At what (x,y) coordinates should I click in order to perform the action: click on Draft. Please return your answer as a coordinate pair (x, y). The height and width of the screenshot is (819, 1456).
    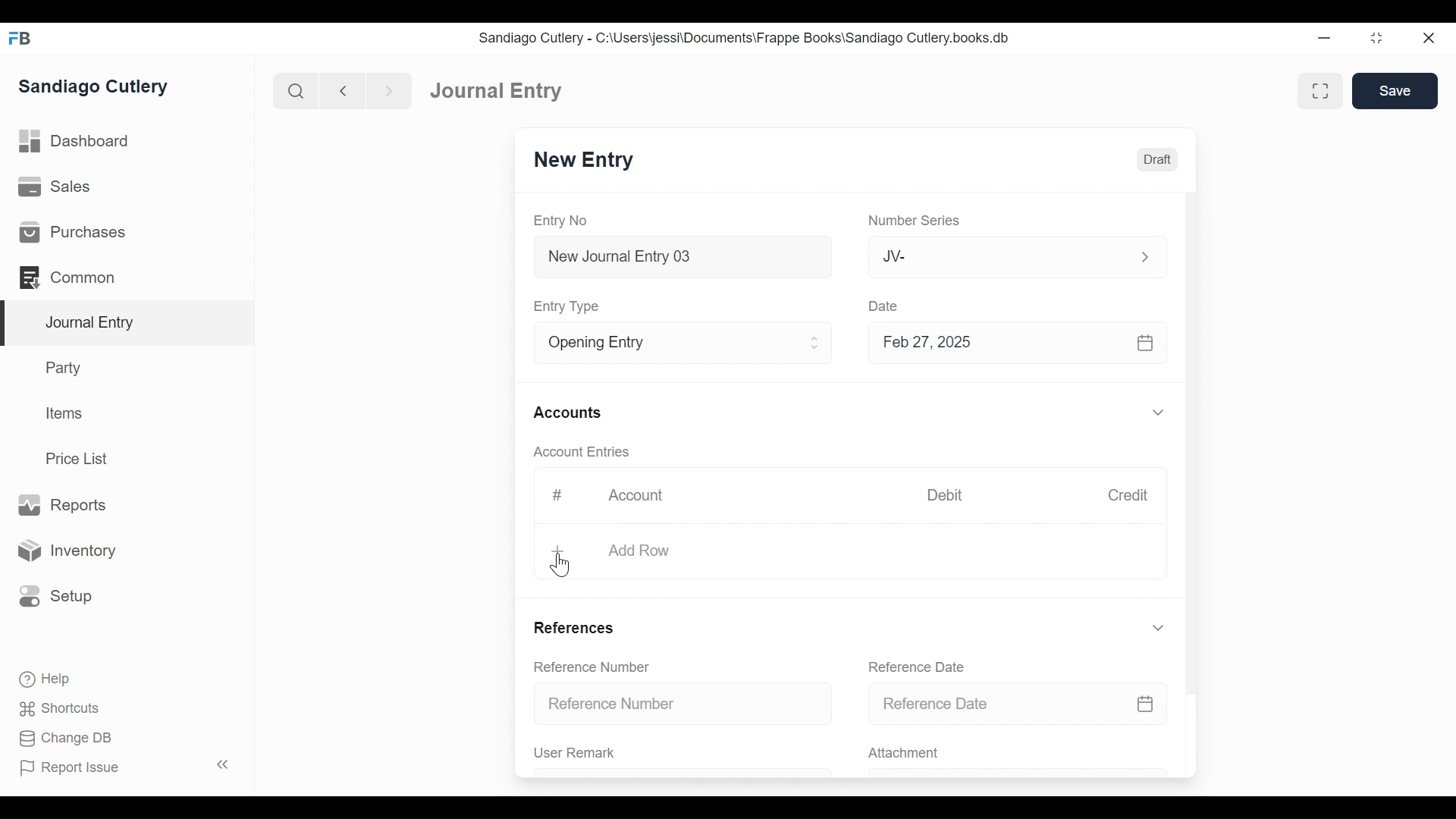
    Looking at the image, I should click on (1156, 161).